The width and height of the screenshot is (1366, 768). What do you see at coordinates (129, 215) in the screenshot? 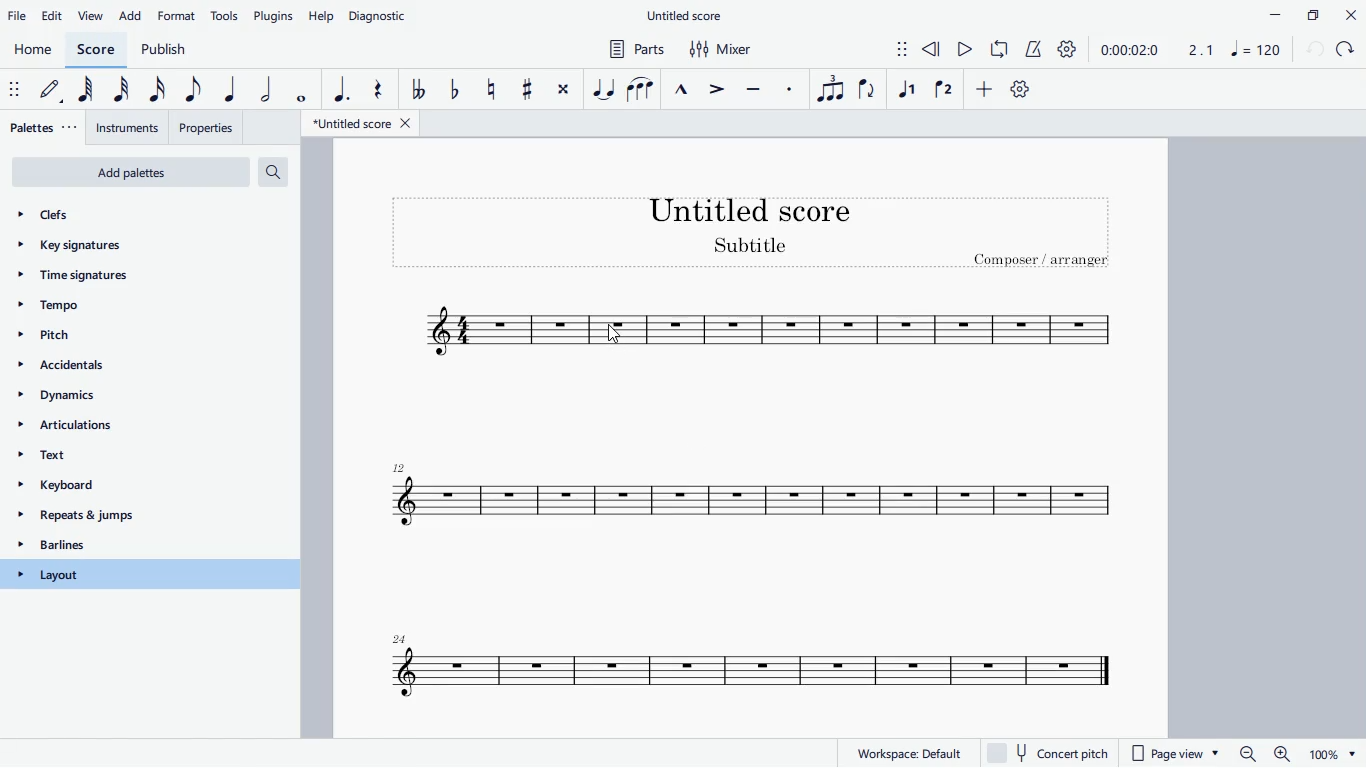
I see `clefs` at bounding box center [129, 215].